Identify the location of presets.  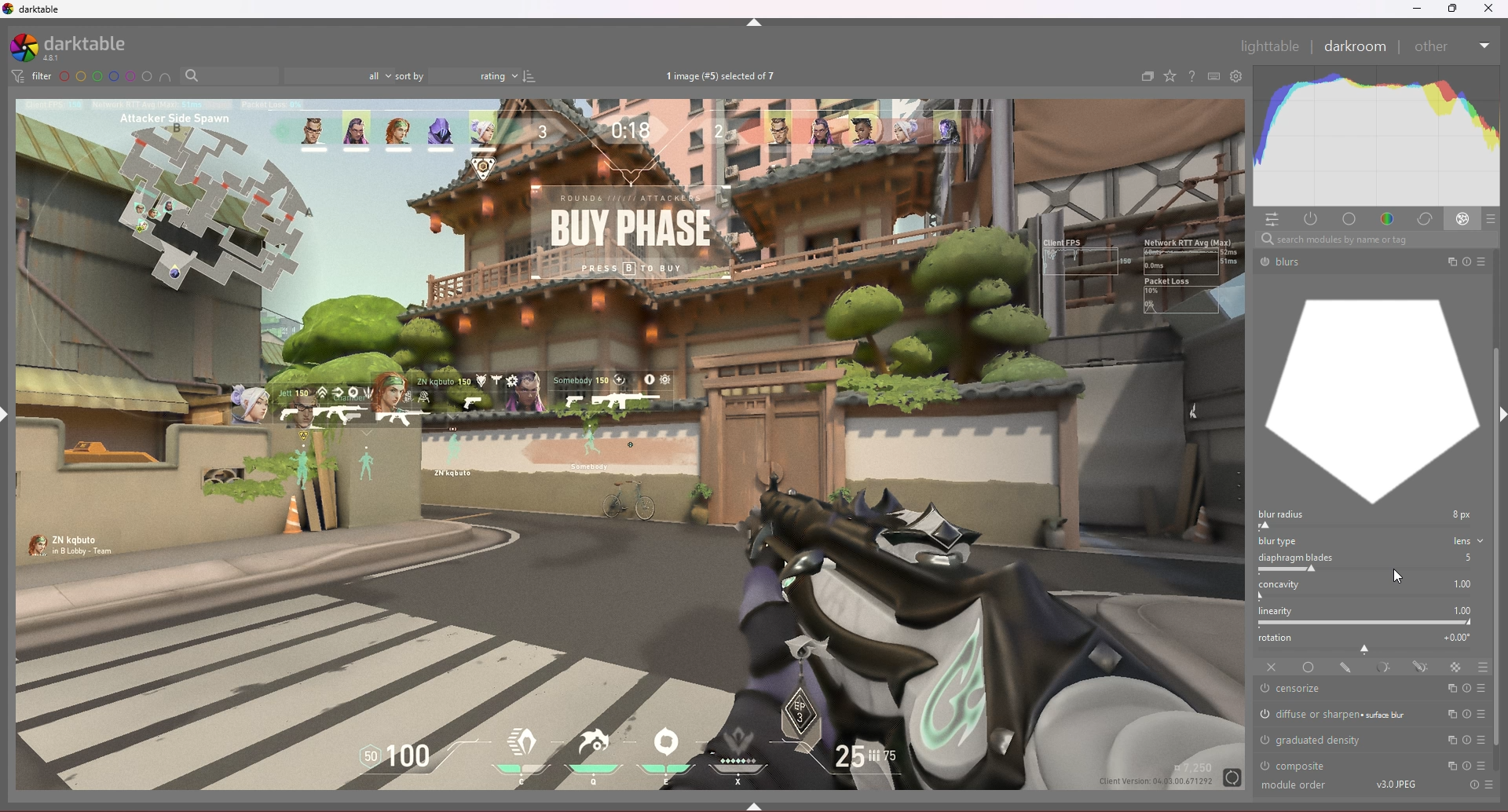
(1481, 740).